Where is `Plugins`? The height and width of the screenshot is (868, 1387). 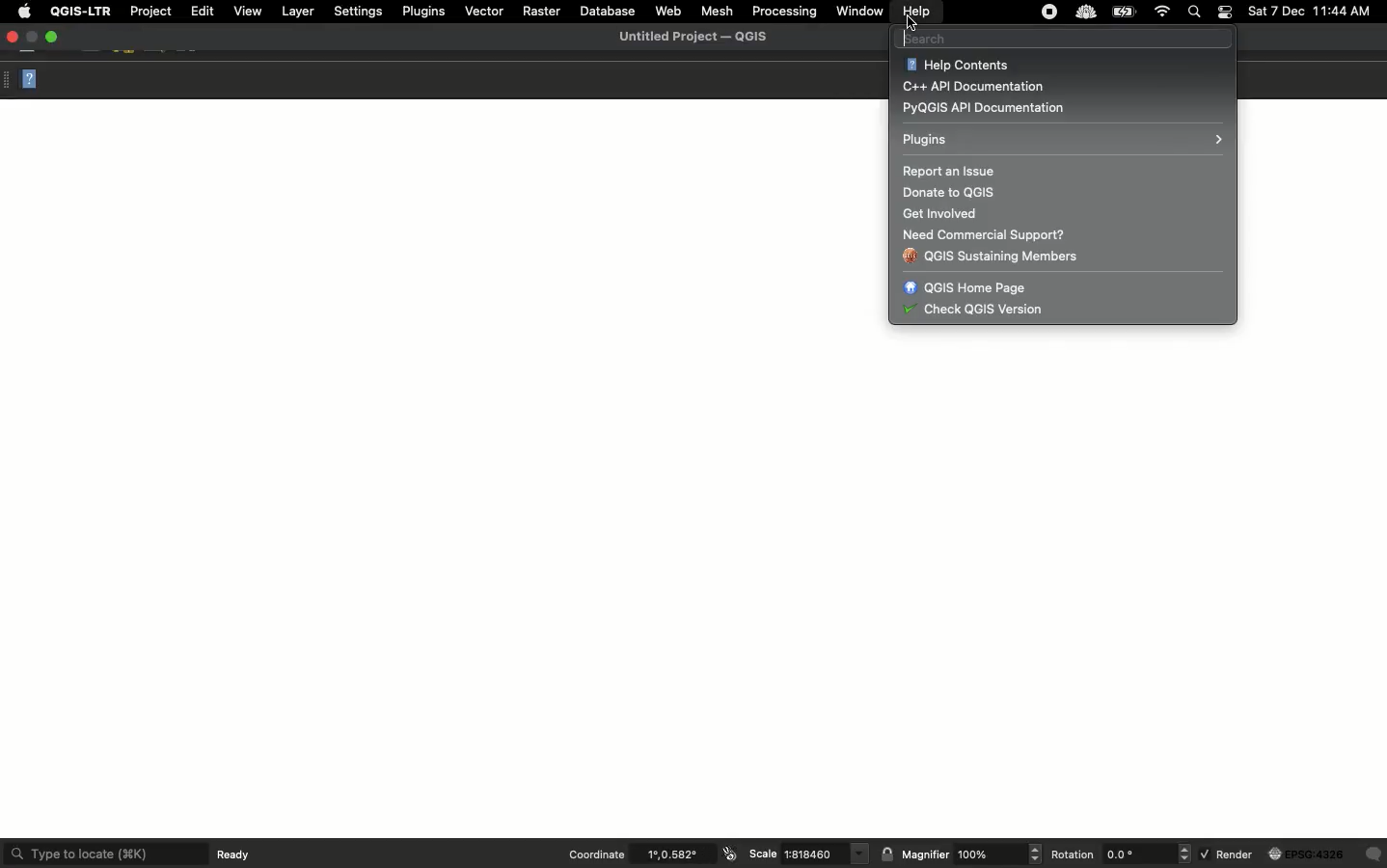 Plugins is located at coordinates (1063, 142).